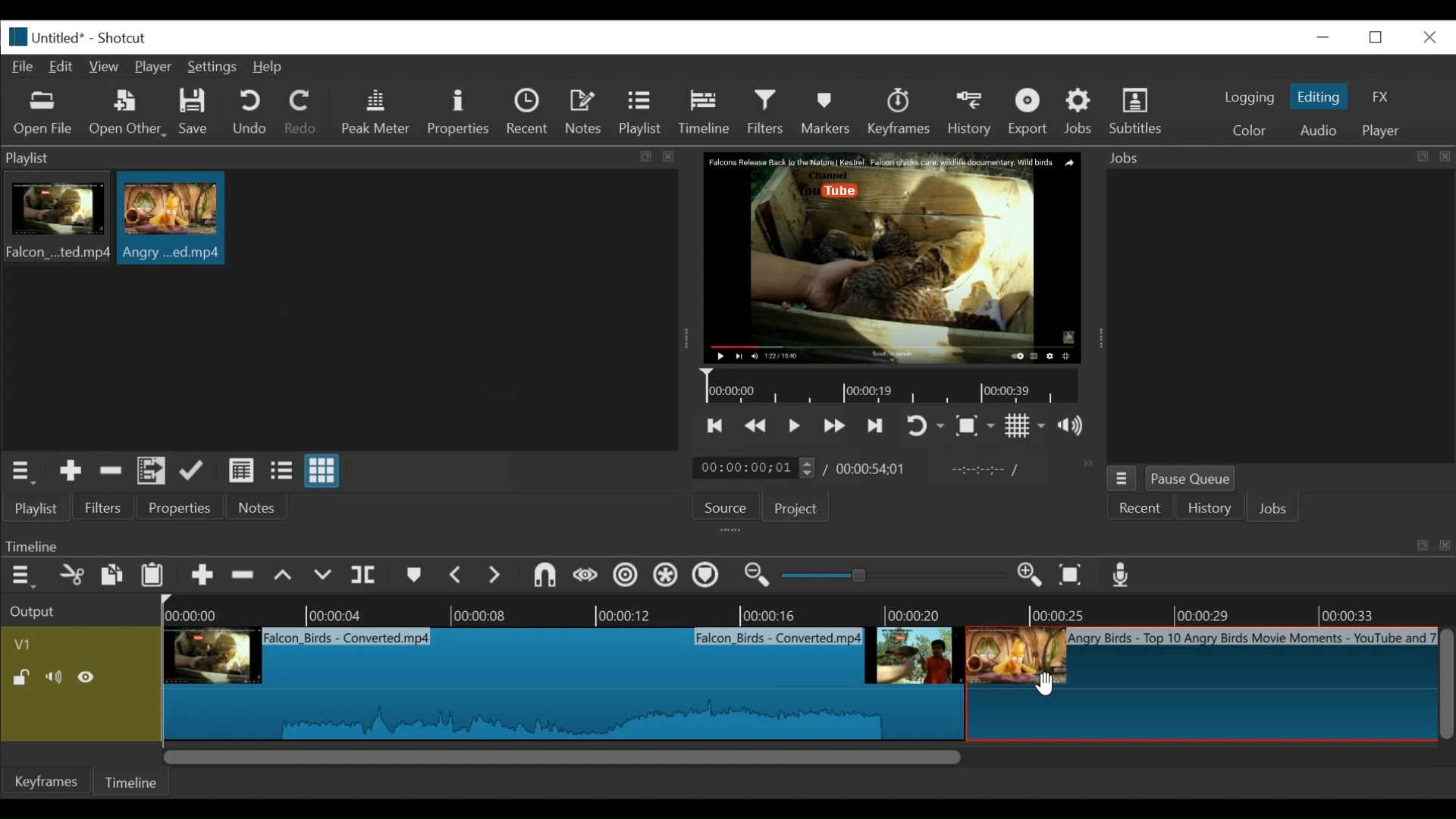 Image resolution: width=1456 pixels, height=819 pixels. What do you see at coordinates (626, 577) in the screenshot?
I see `Ripple ` at bounding box center [626, 577].